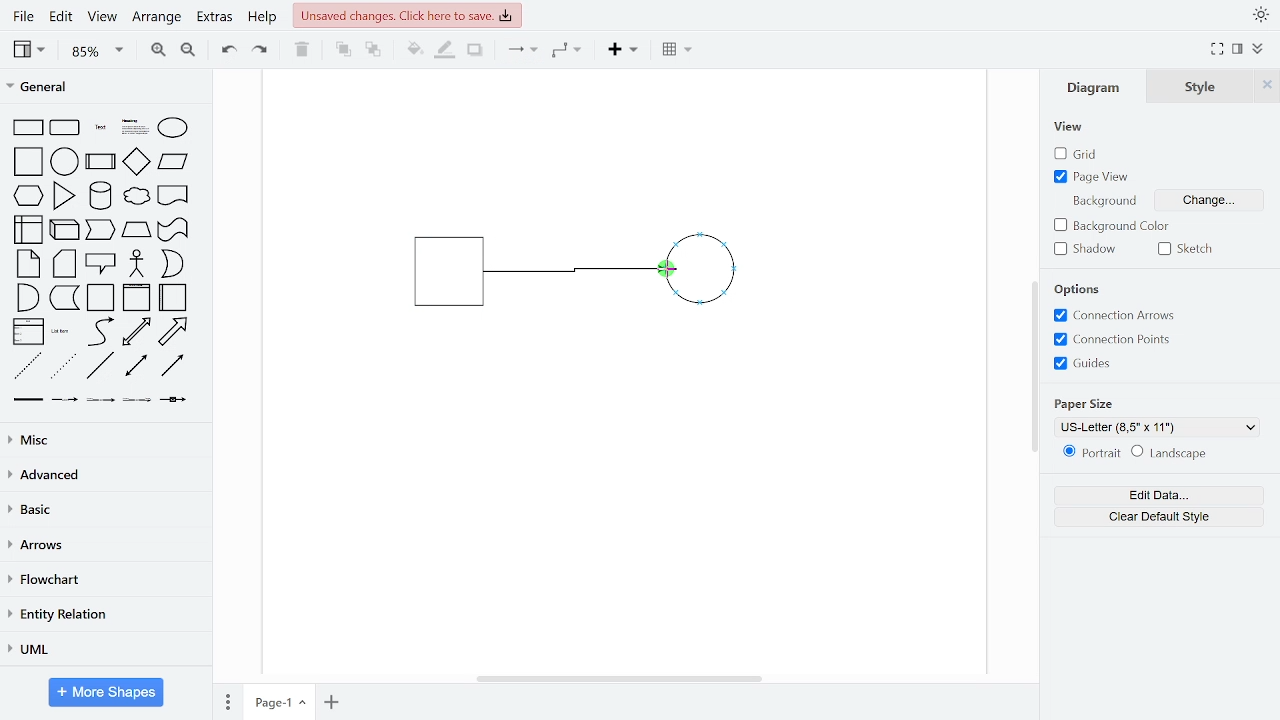 The height and width of the screenshot is (720, 1280). Describe the element at coordinates (1092, 453) in the screenshot. I see `portrait` at that location.